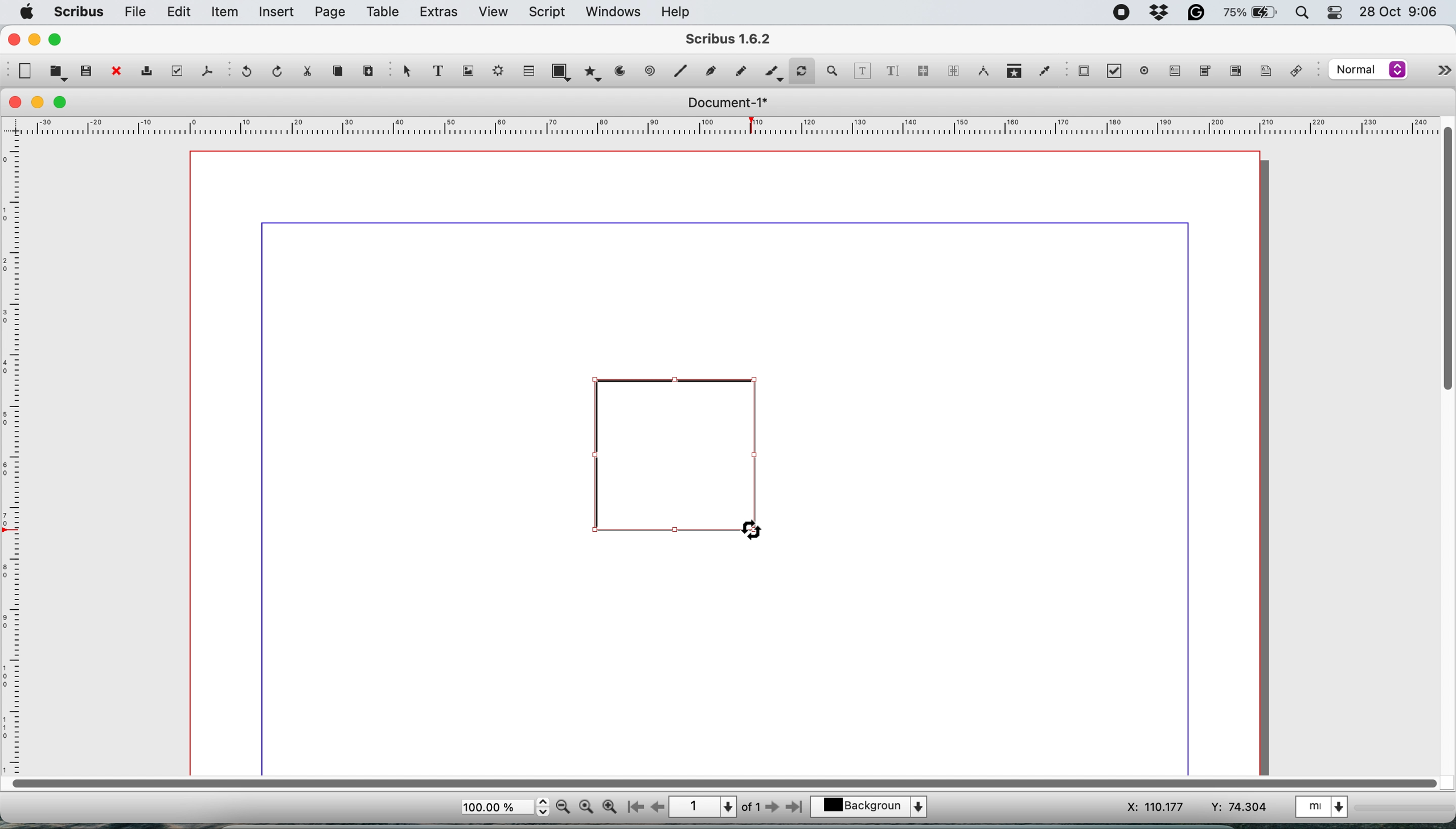  What do you see at coordinates (753, 531) in the screenshot?
I see `mouse` at bounding box center [753, 531].